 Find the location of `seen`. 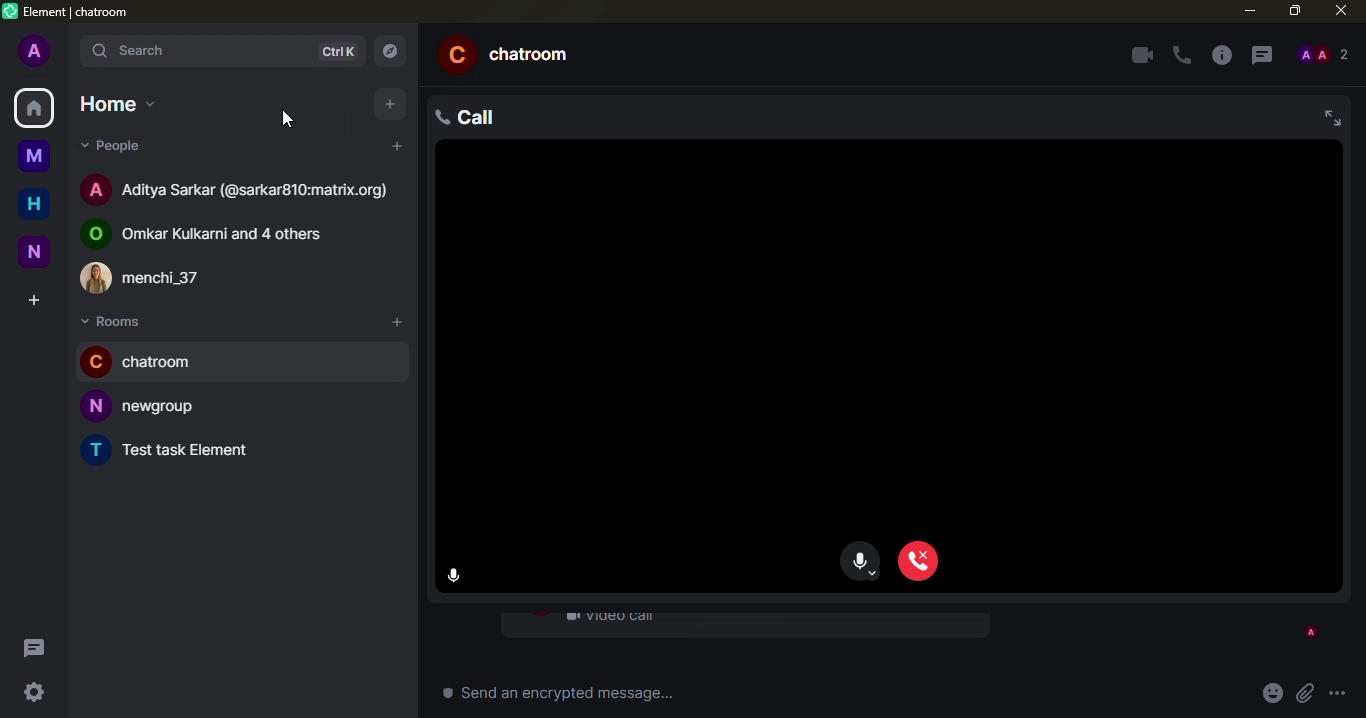

seen is located at coordinates (1309, 633).